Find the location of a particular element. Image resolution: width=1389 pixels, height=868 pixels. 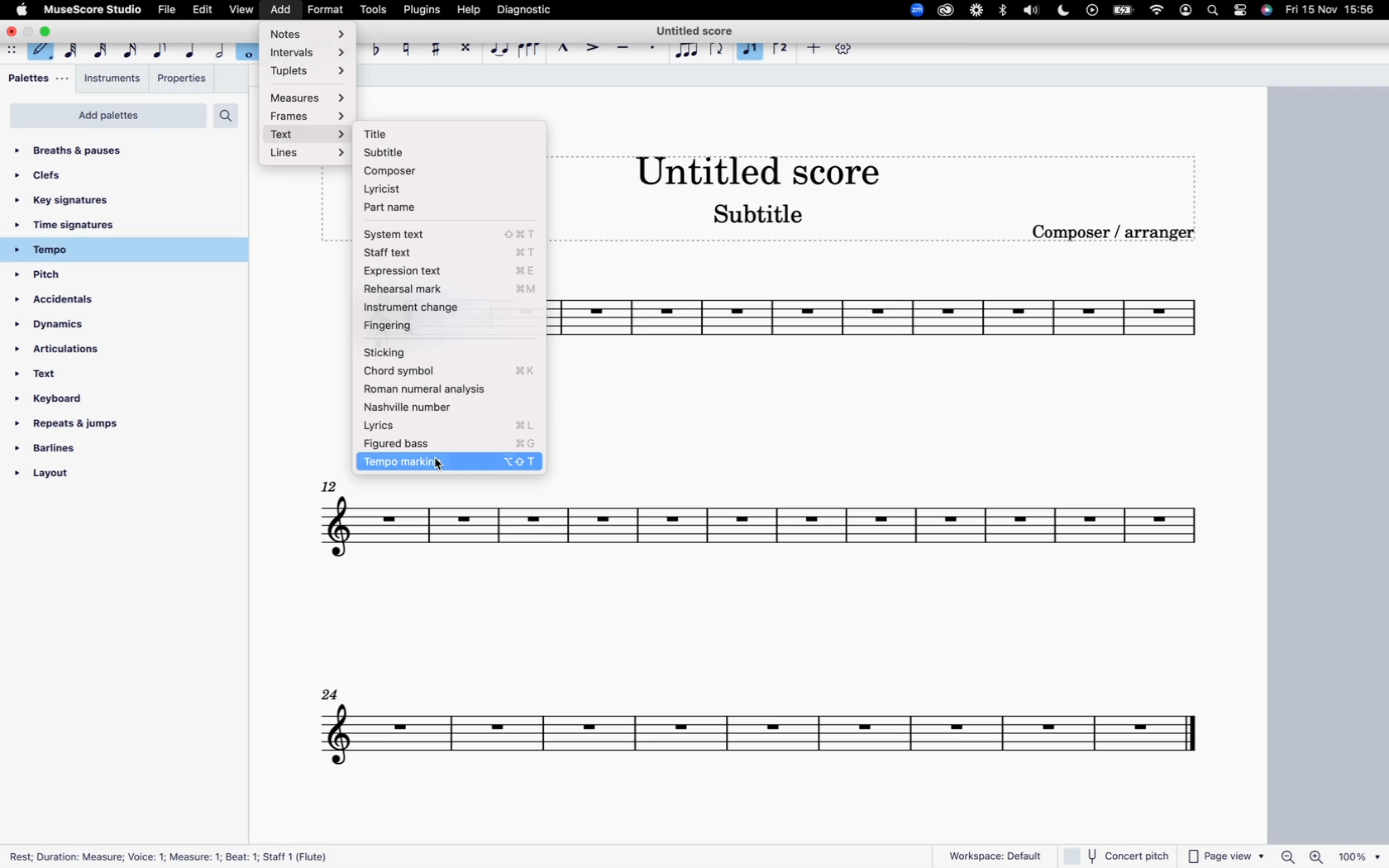

tie is located at coordinates (498, 47).